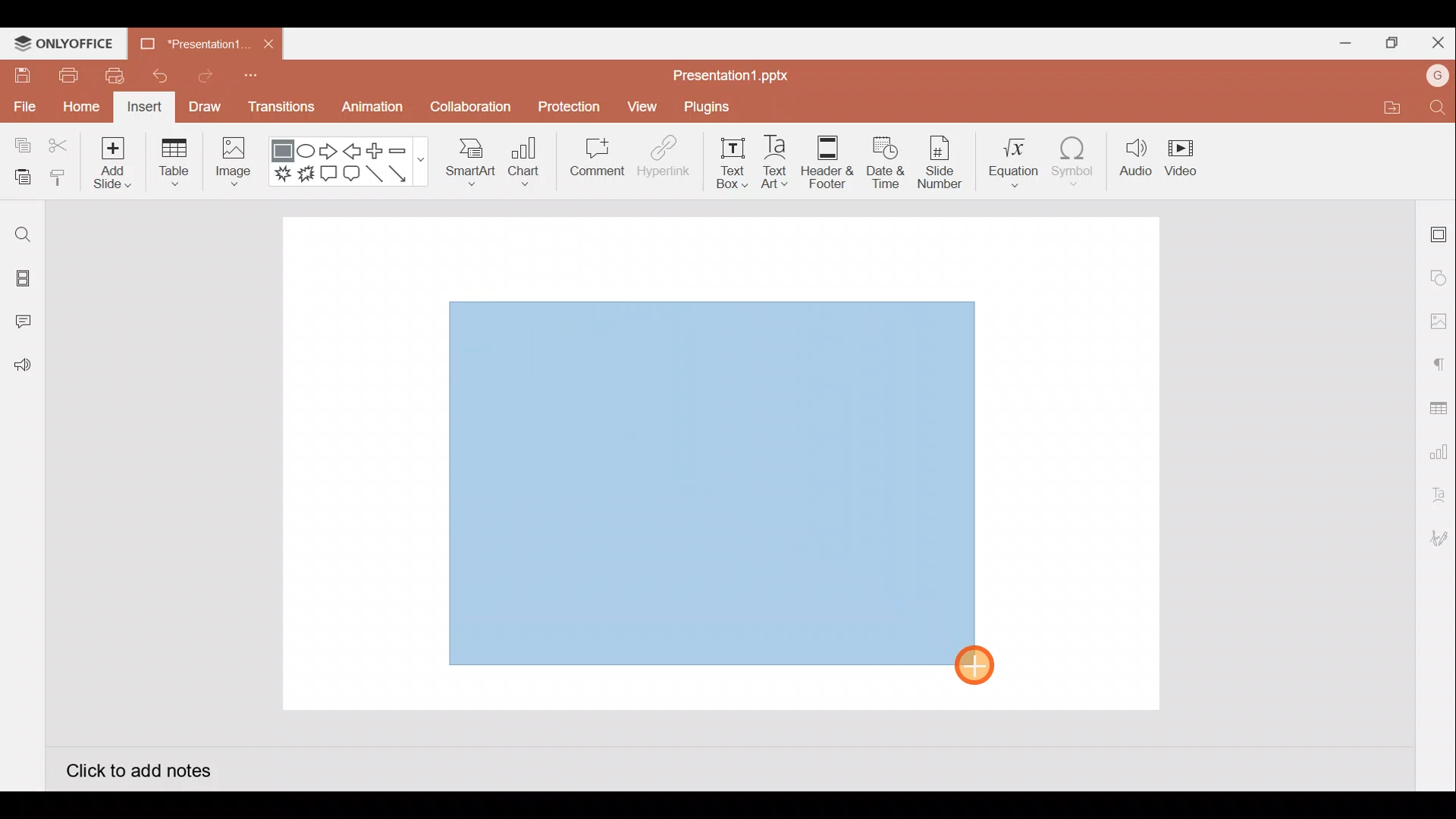 This screenshot has height=819, width=1456. What do you see at coordinates (188, 42) in the screenshot?
I see `Presentation1.` at bounding box center [188, 42].